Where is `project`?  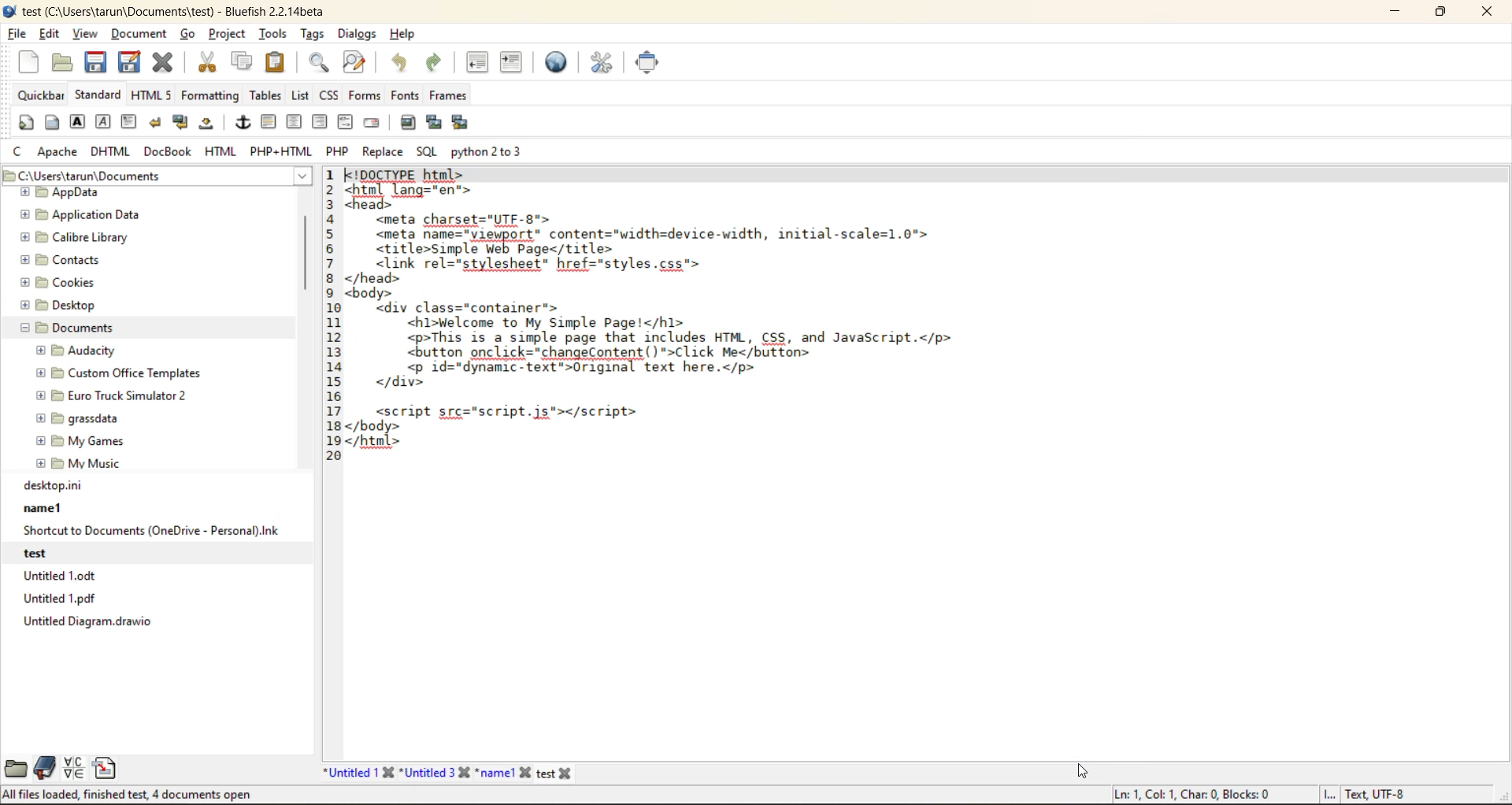 project is located at coordinates (229, 36).